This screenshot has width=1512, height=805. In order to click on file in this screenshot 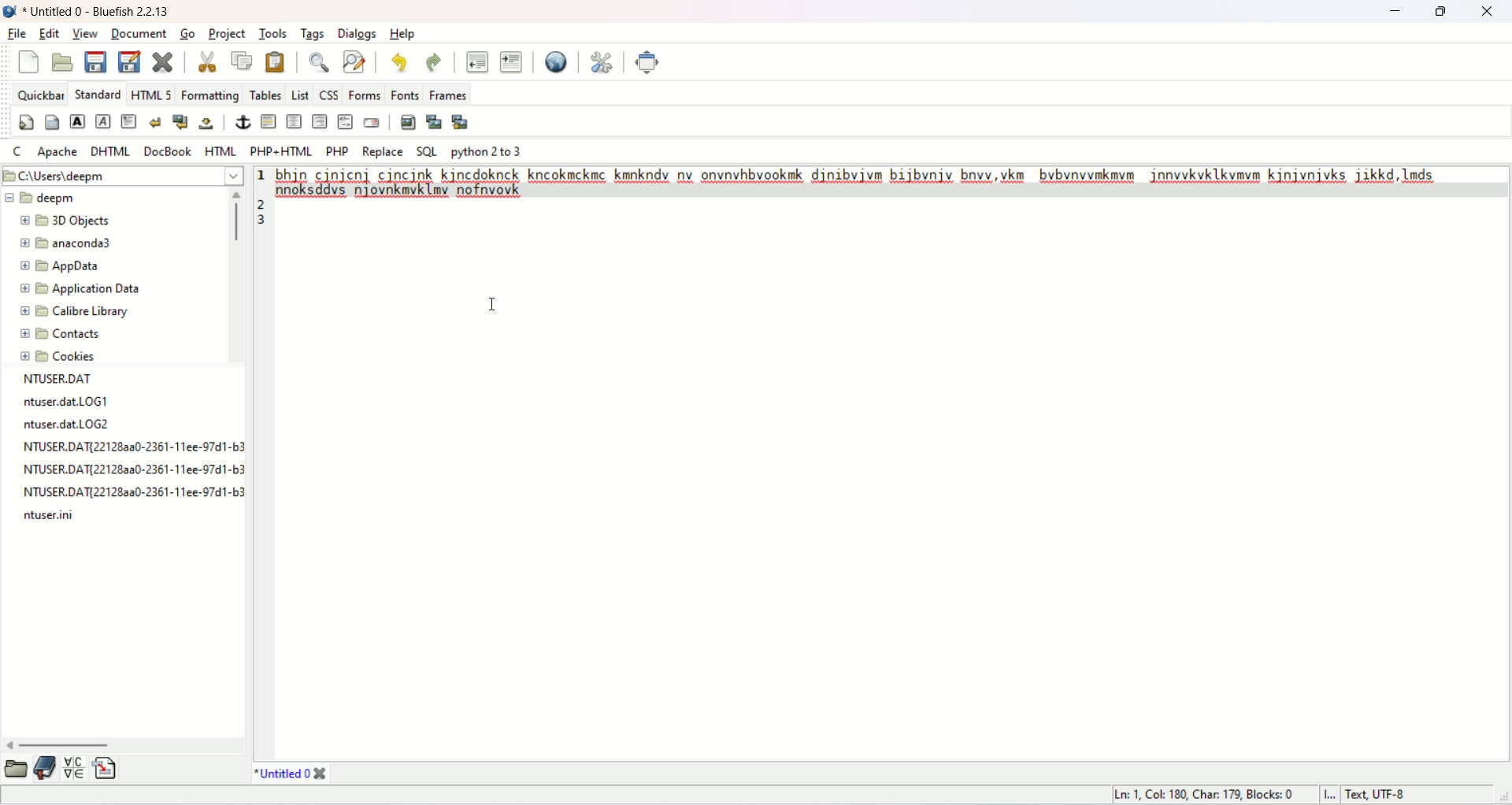, I will do `click(19, 34)`.